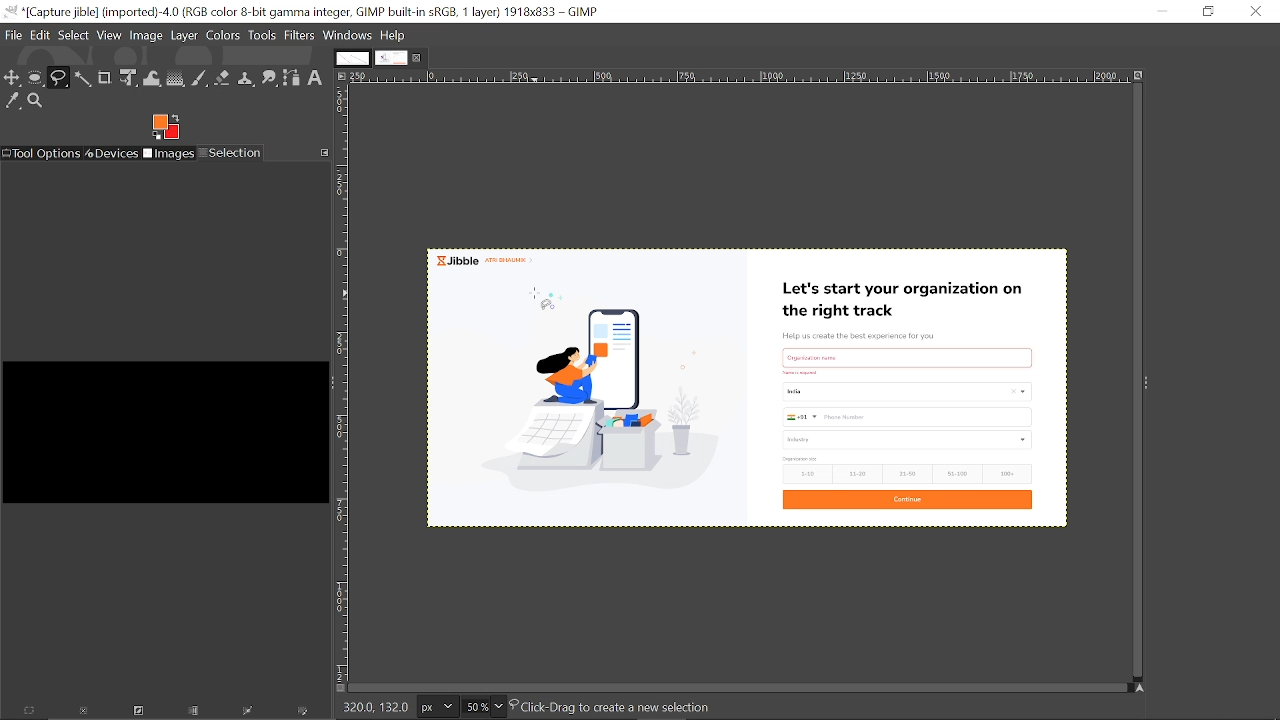  What do you see at coordinates (224, 35) in the screenshot?
I see `Colors` at bounding box center [224, 35].